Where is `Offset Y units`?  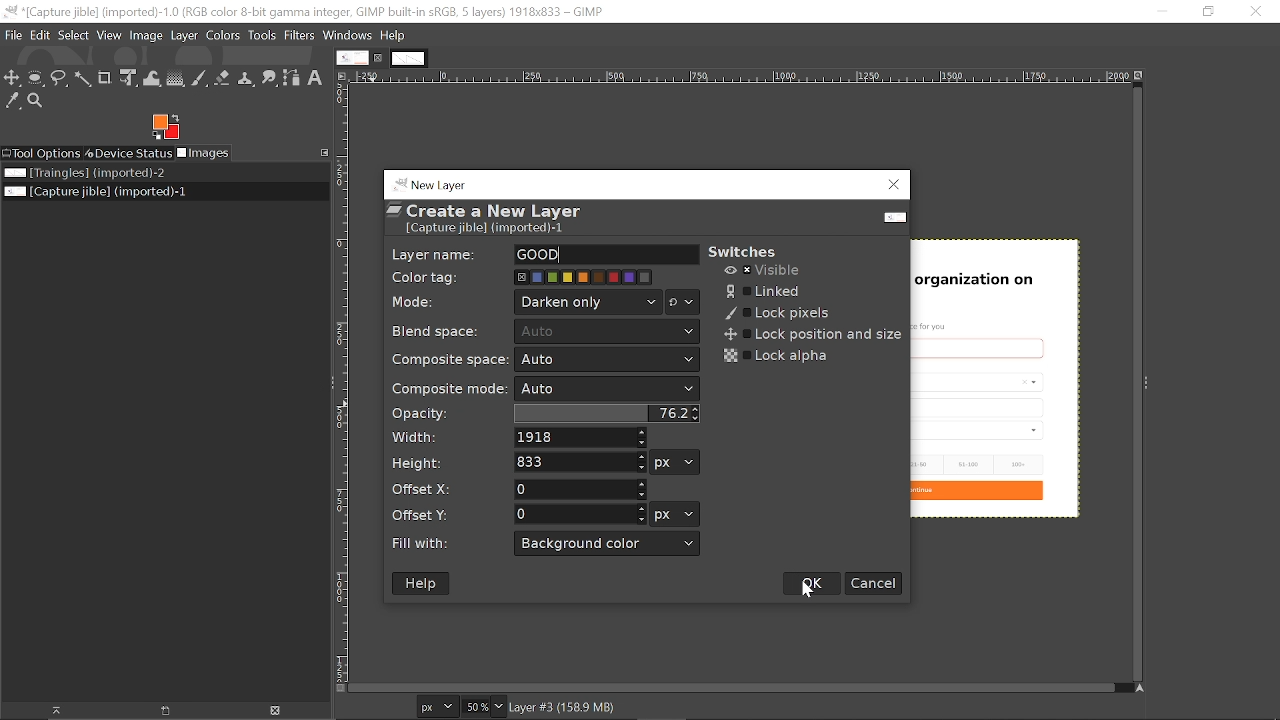
Offset Y units is located at coordinates (675, 515).